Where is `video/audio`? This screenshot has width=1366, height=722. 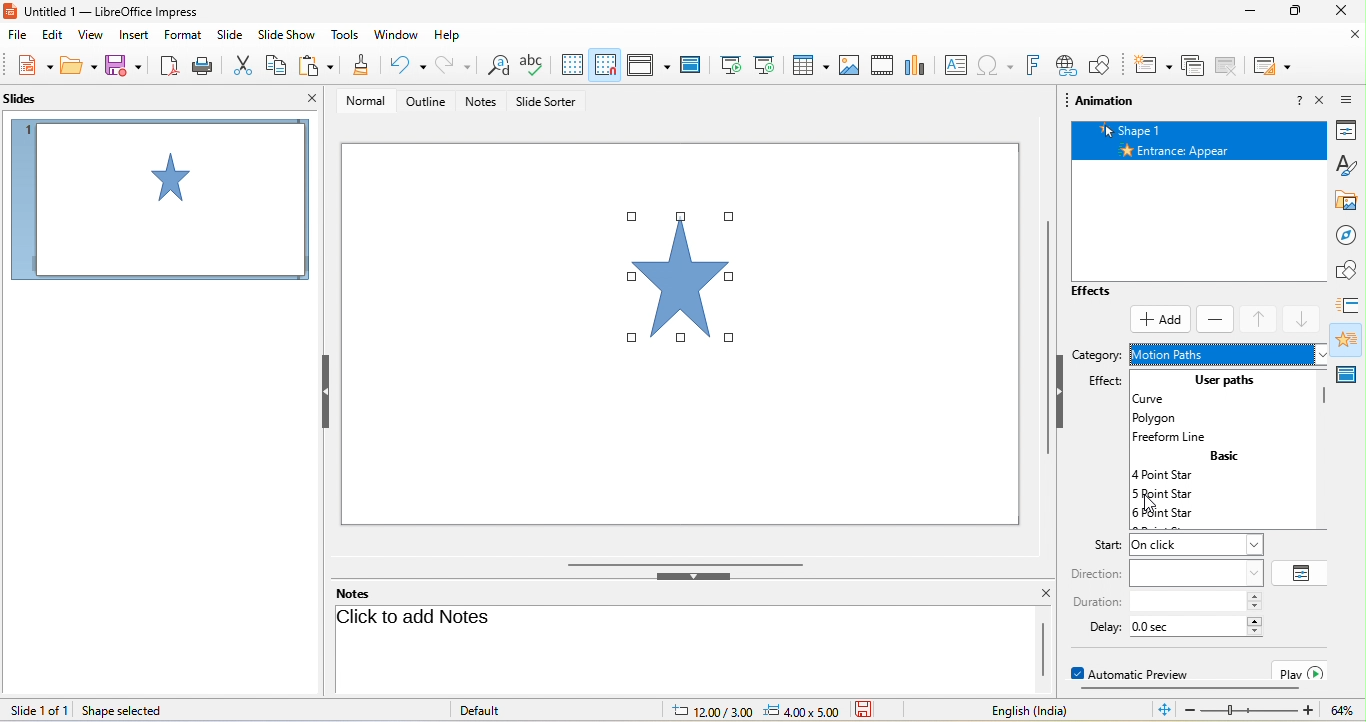
video/audio is located at coordinates (882, 64).